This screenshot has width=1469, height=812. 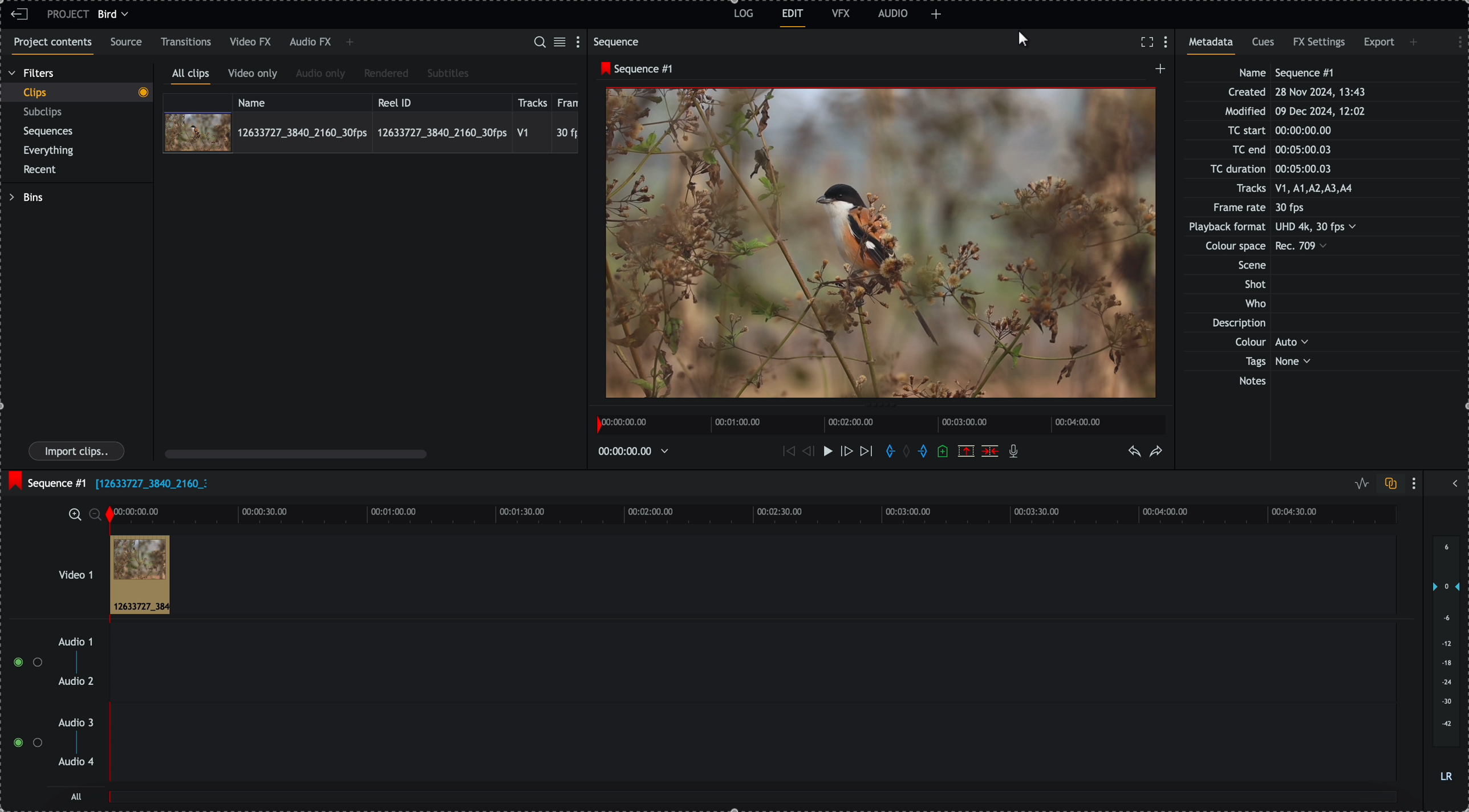 What do you see at coordinates (824, 452) in the screenshot?
I see `play` at bounding box center [824, 452].